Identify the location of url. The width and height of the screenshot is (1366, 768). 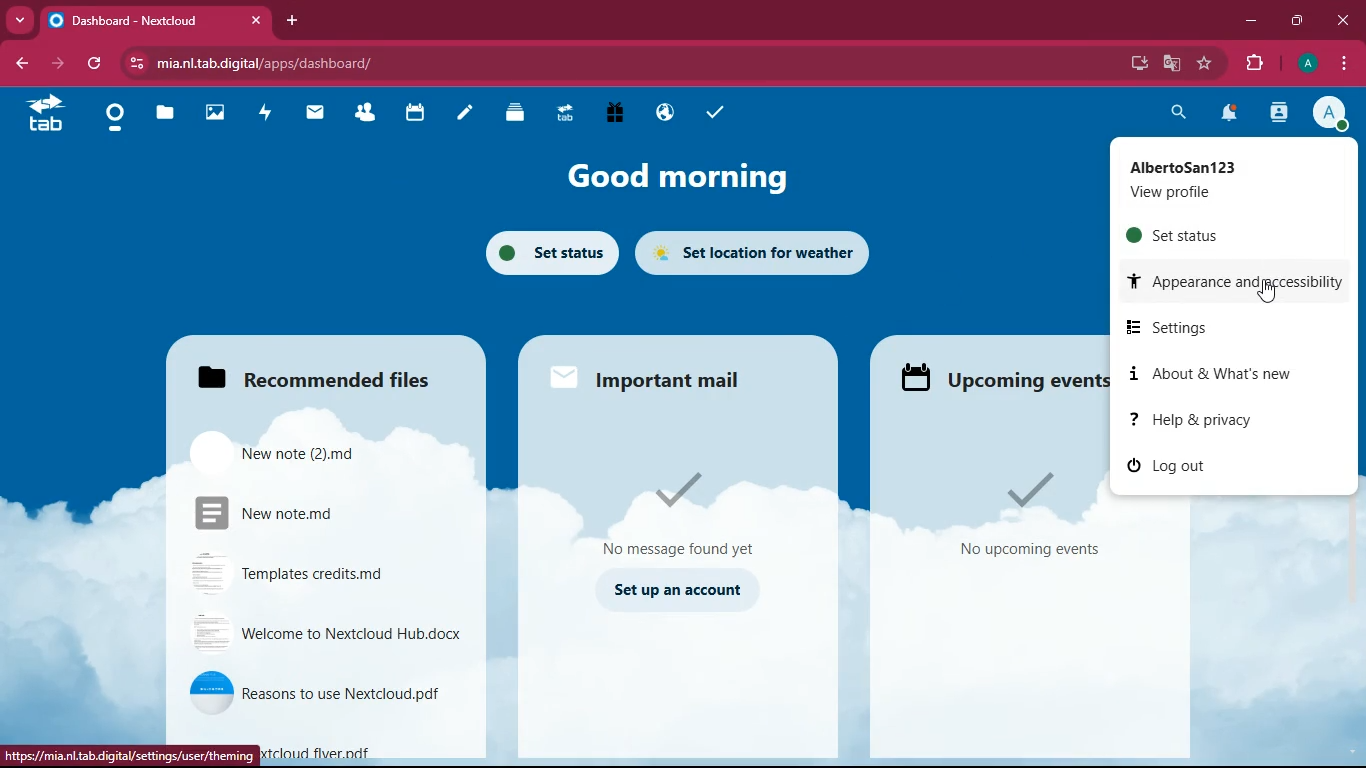
(134, 754).